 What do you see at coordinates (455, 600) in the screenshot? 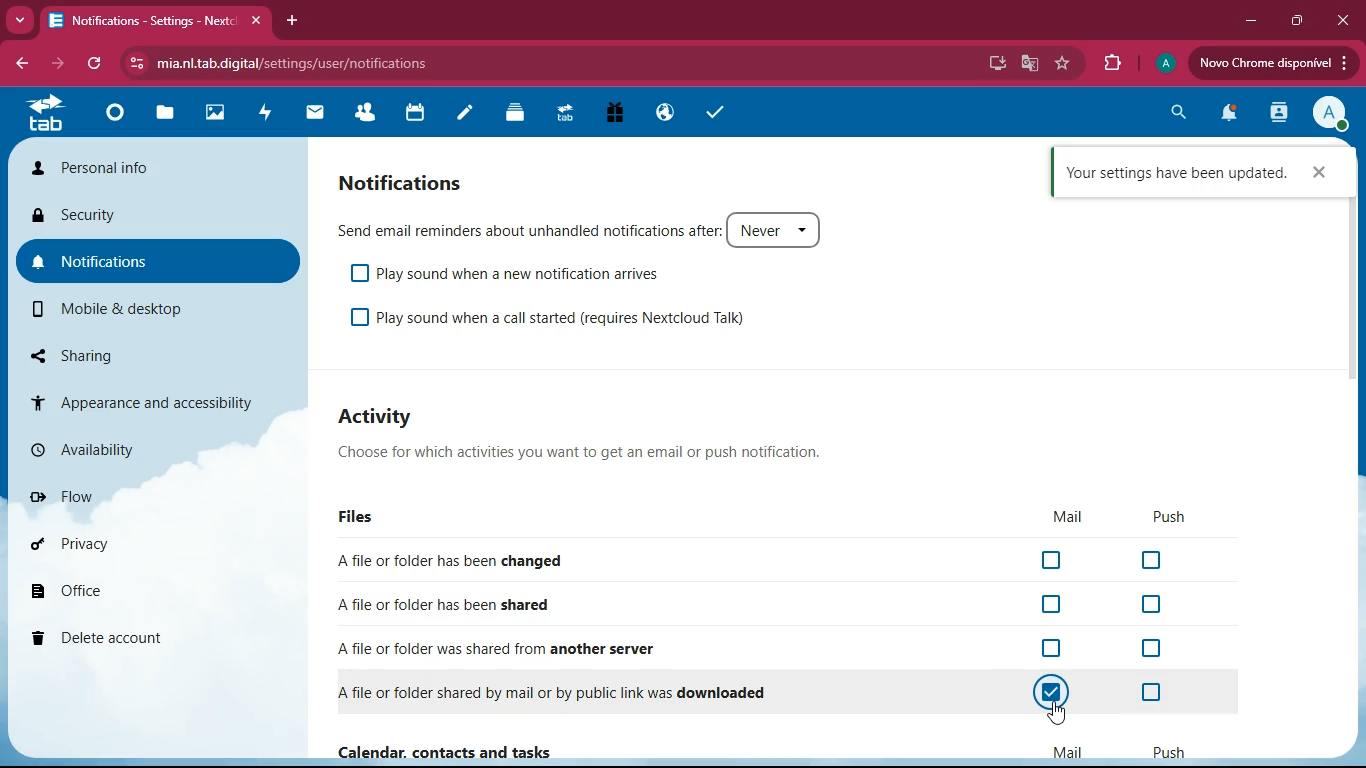
I see `shared` at bounding box center [455, 600].